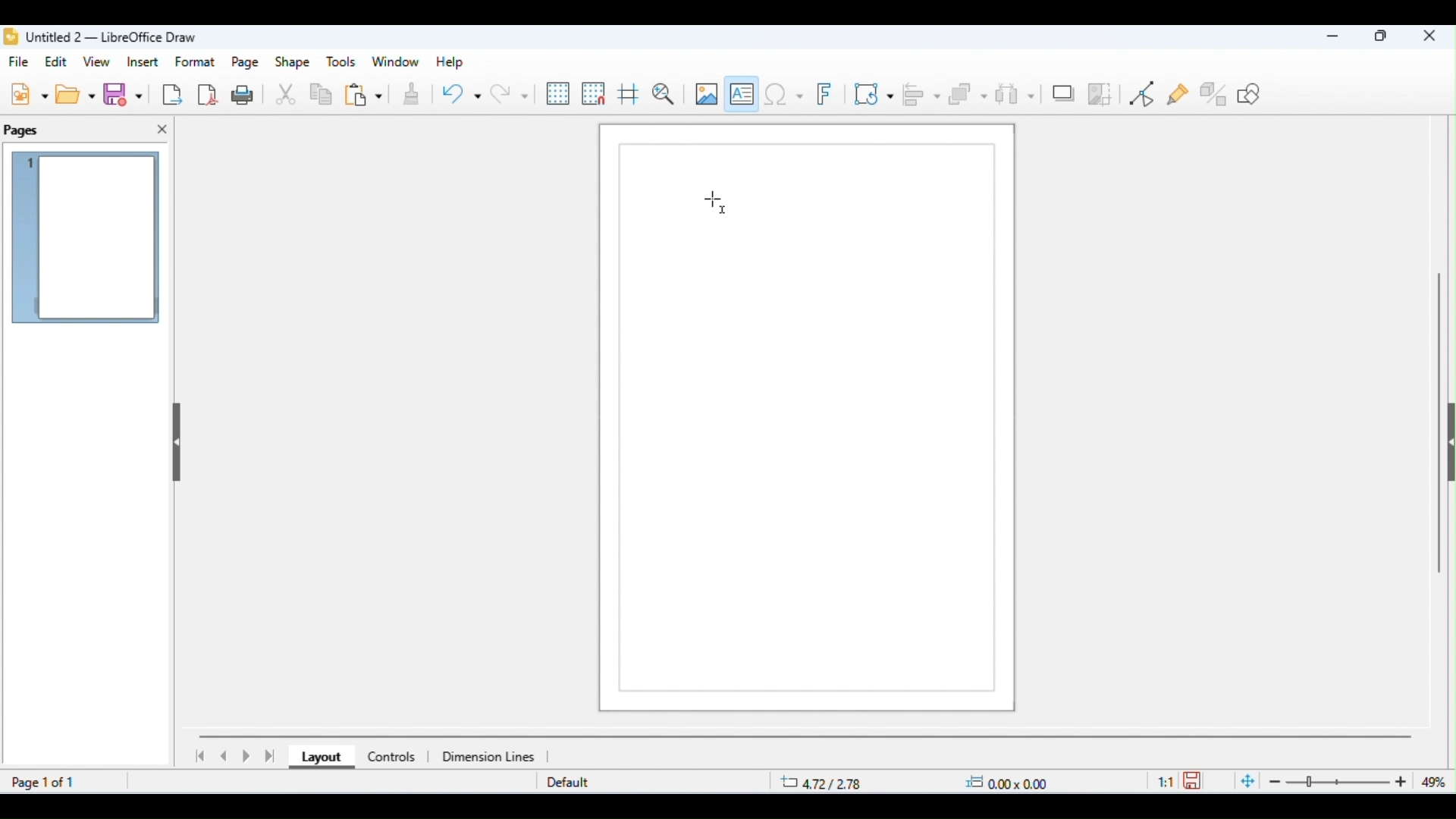  I want to click on show helplines while moving, so click(628, 96).